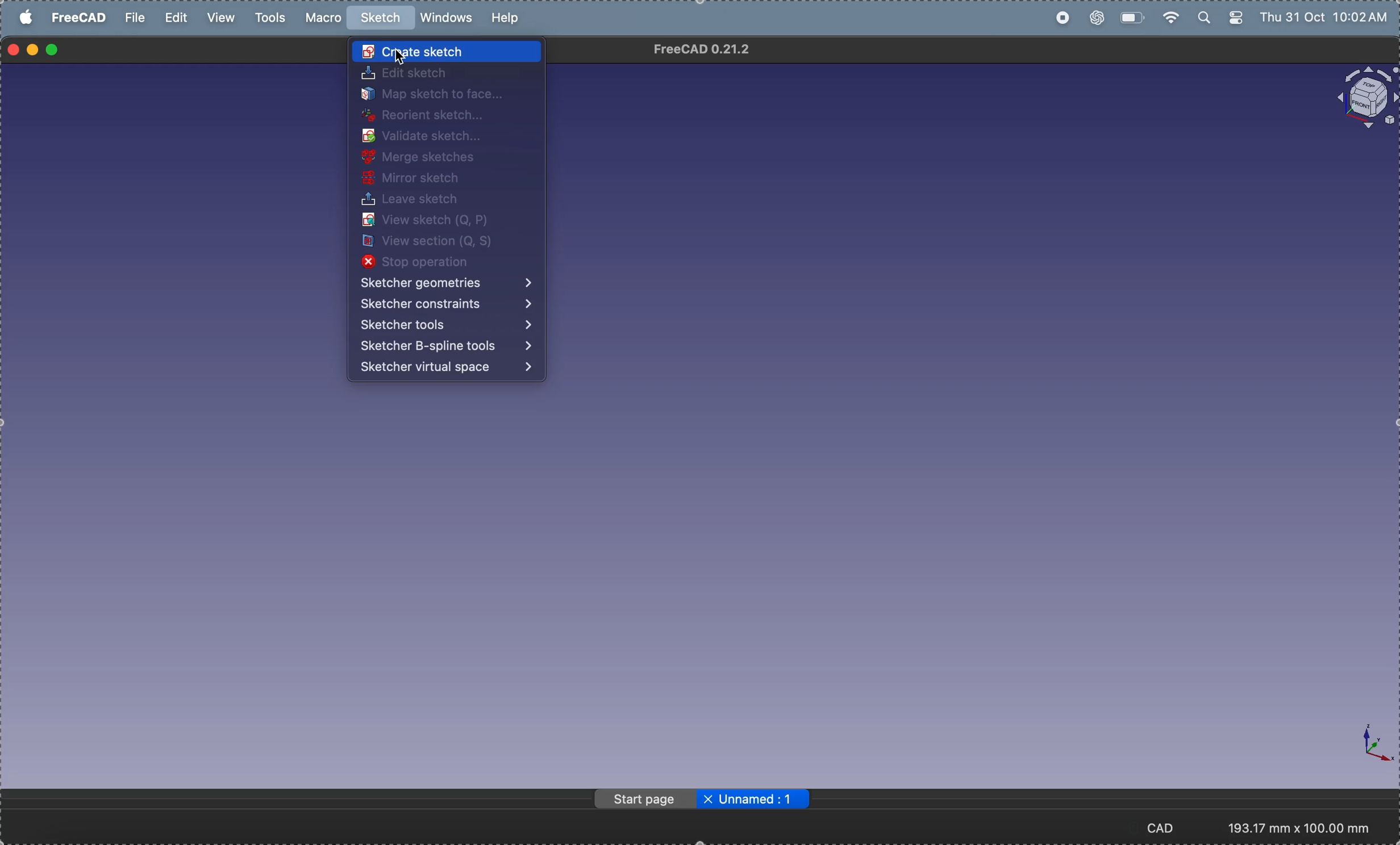  I want to click on apple widgets, so click(1222, 18).